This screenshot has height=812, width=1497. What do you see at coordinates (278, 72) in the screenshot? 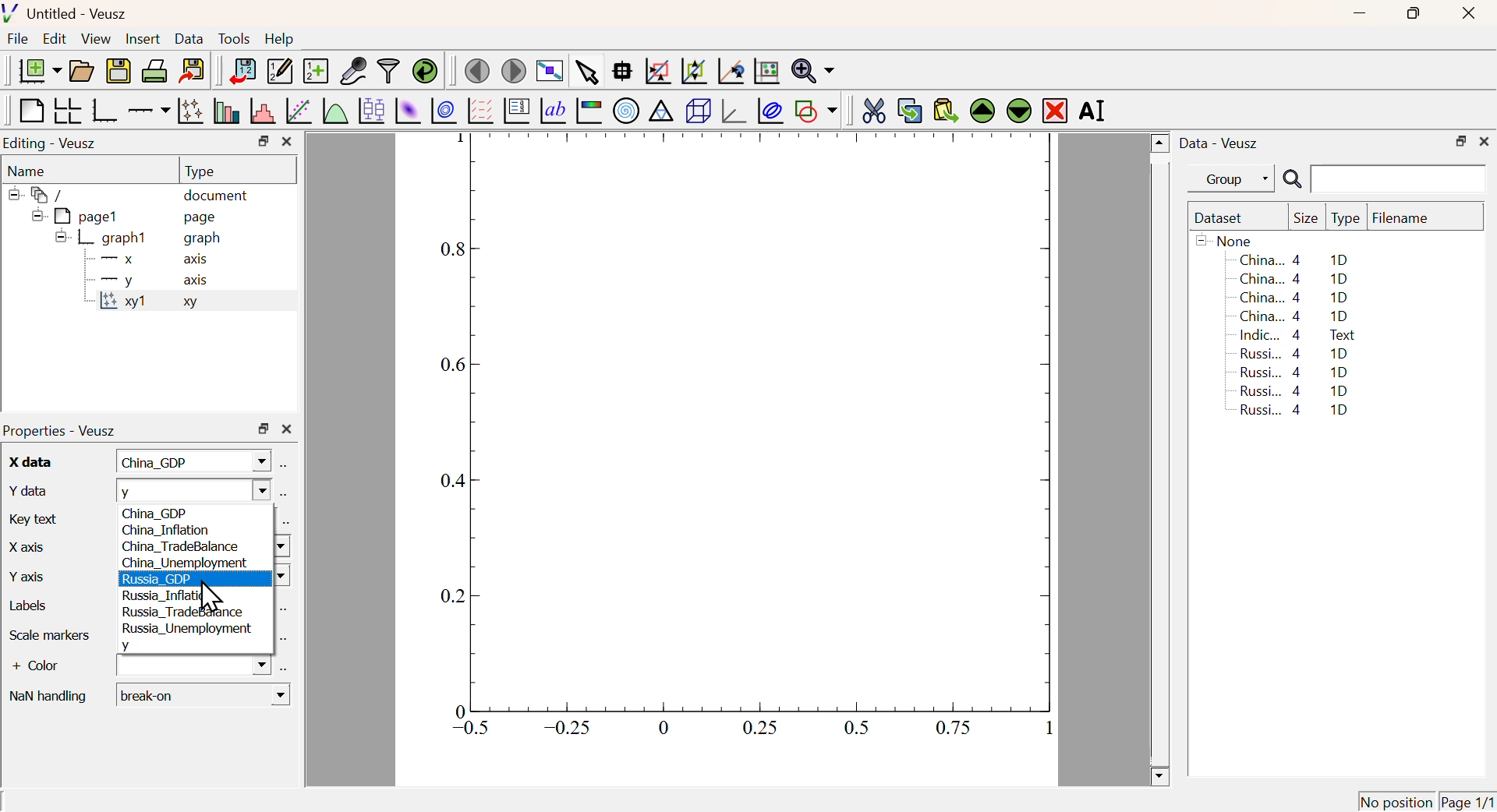
I see `Edit or add new data sets` at bounding box center [278, 72].